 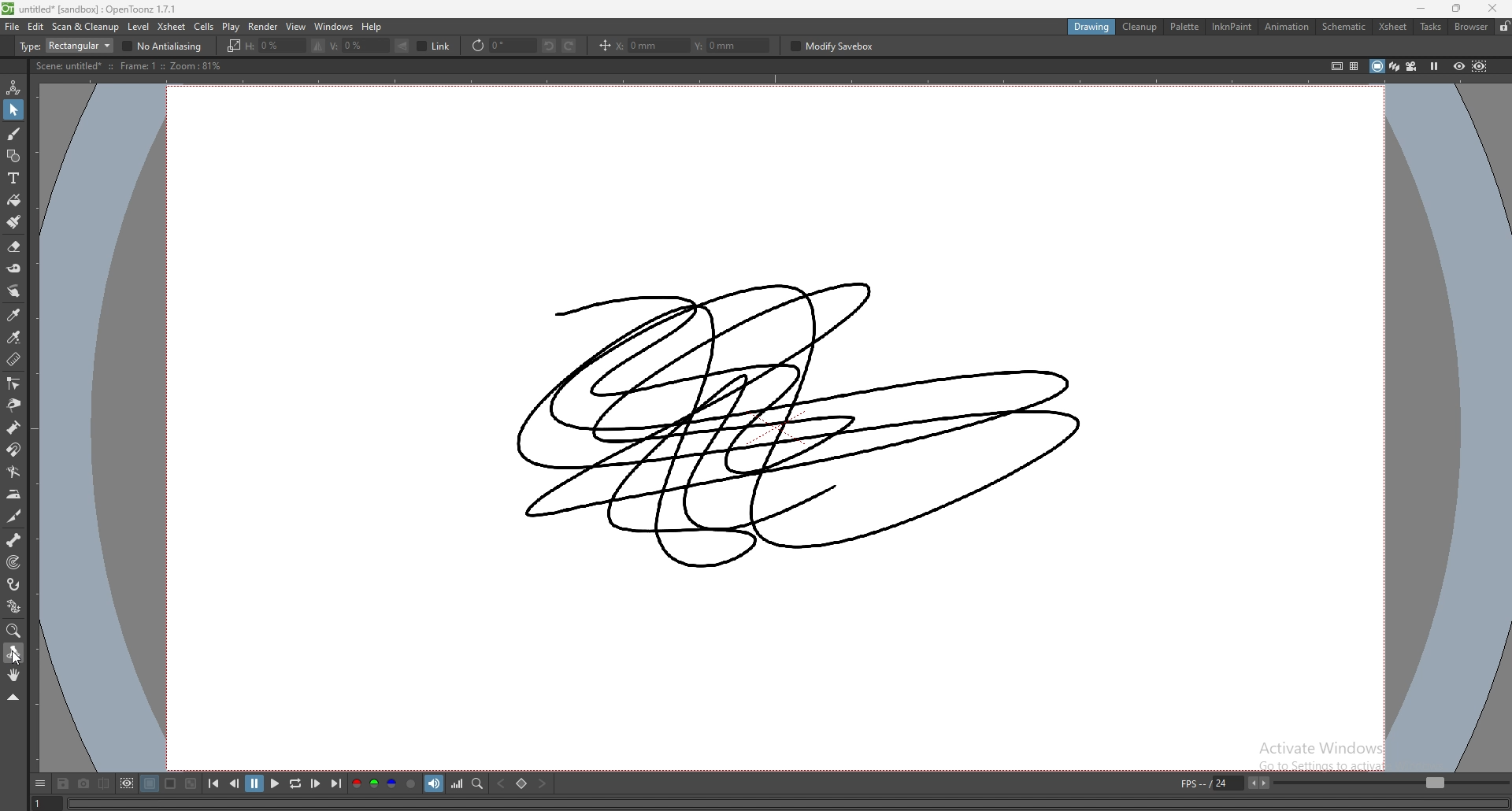 What do you see at coordinates (1459, 66) in the screenshot?
I see `preview` at bounding box center [1459, 66].